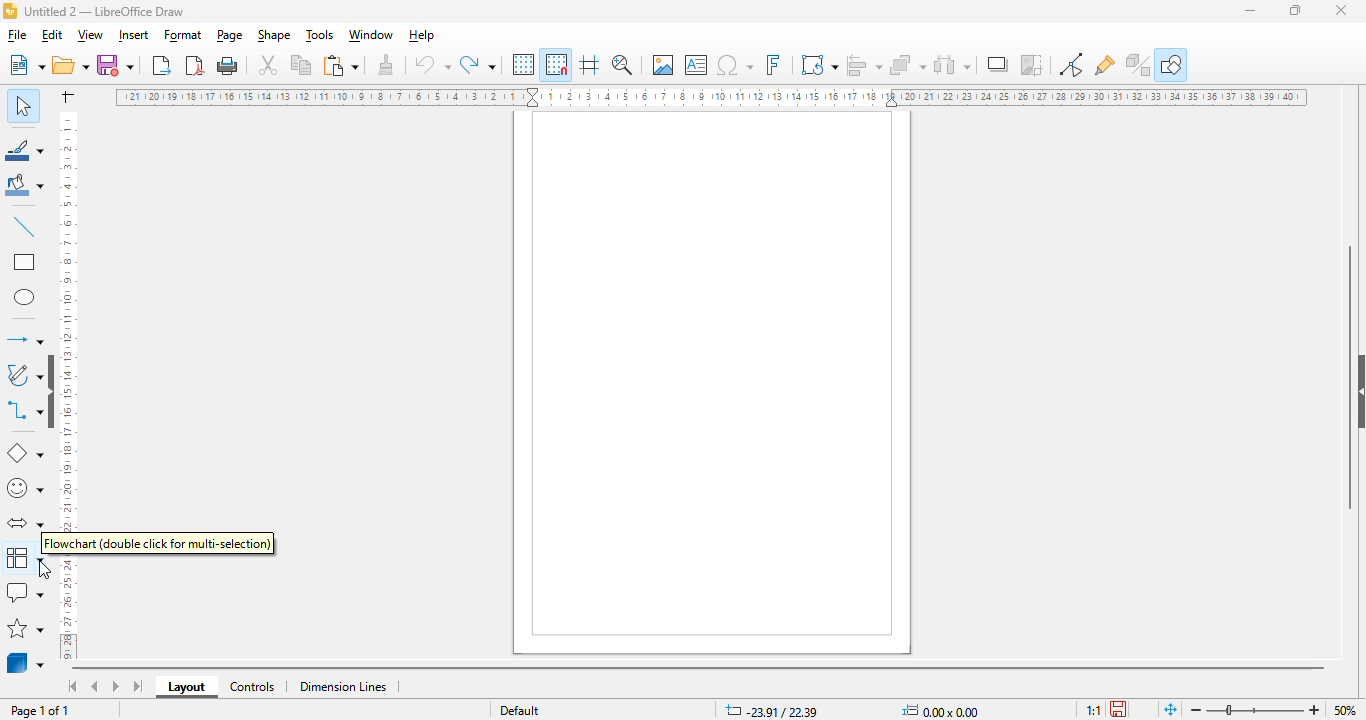 Image resolution: width=1366 pixels, height=720 pixels. What do you see at coordinates (998, 65) in the screenshot?
I see `shadow` at bounding box center [998, 65].